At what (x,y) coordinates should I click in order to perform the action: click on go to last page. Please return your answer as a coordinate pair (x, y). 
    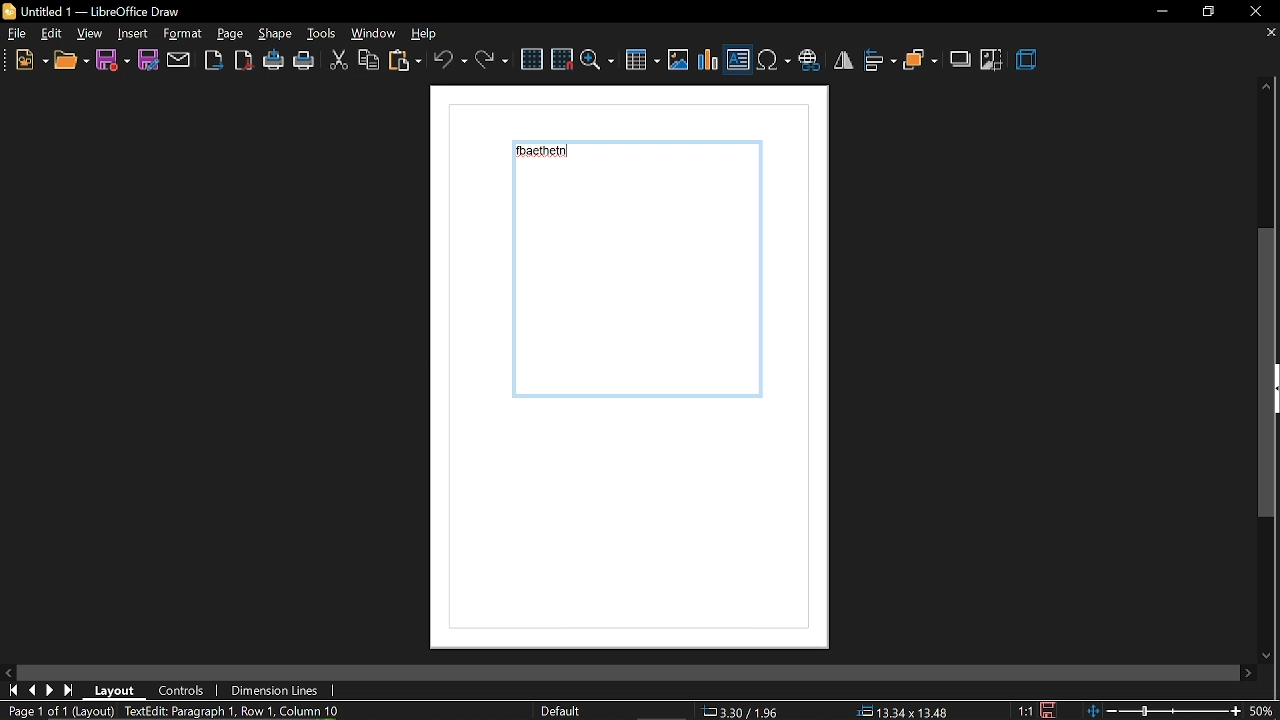
    Looking at the image, I should click on (69, 691).